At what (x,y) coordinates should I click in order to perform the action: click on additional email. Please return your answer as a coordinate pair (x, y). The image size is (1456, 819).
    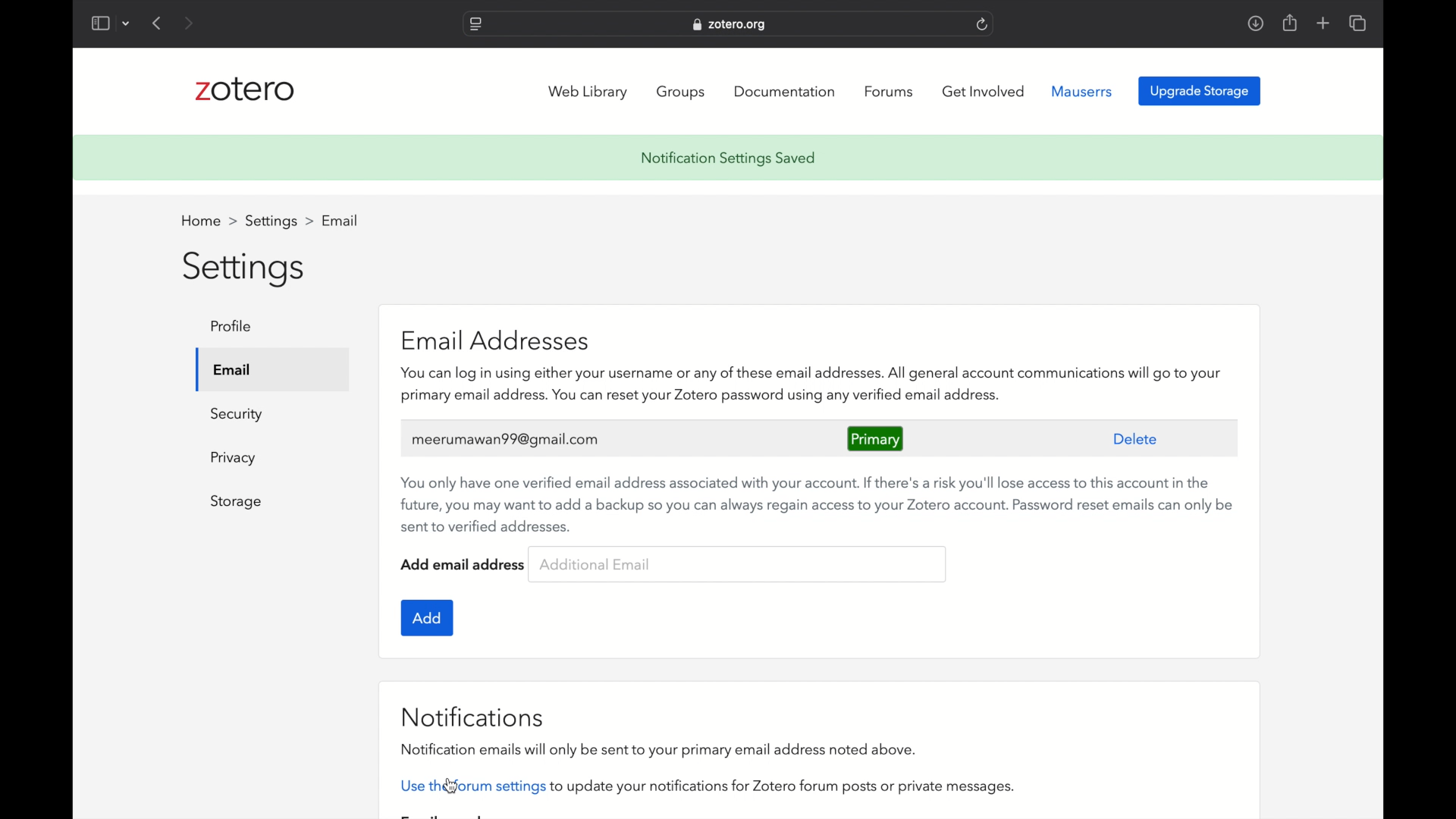
    Looking at the image, I should click on (596, 565).